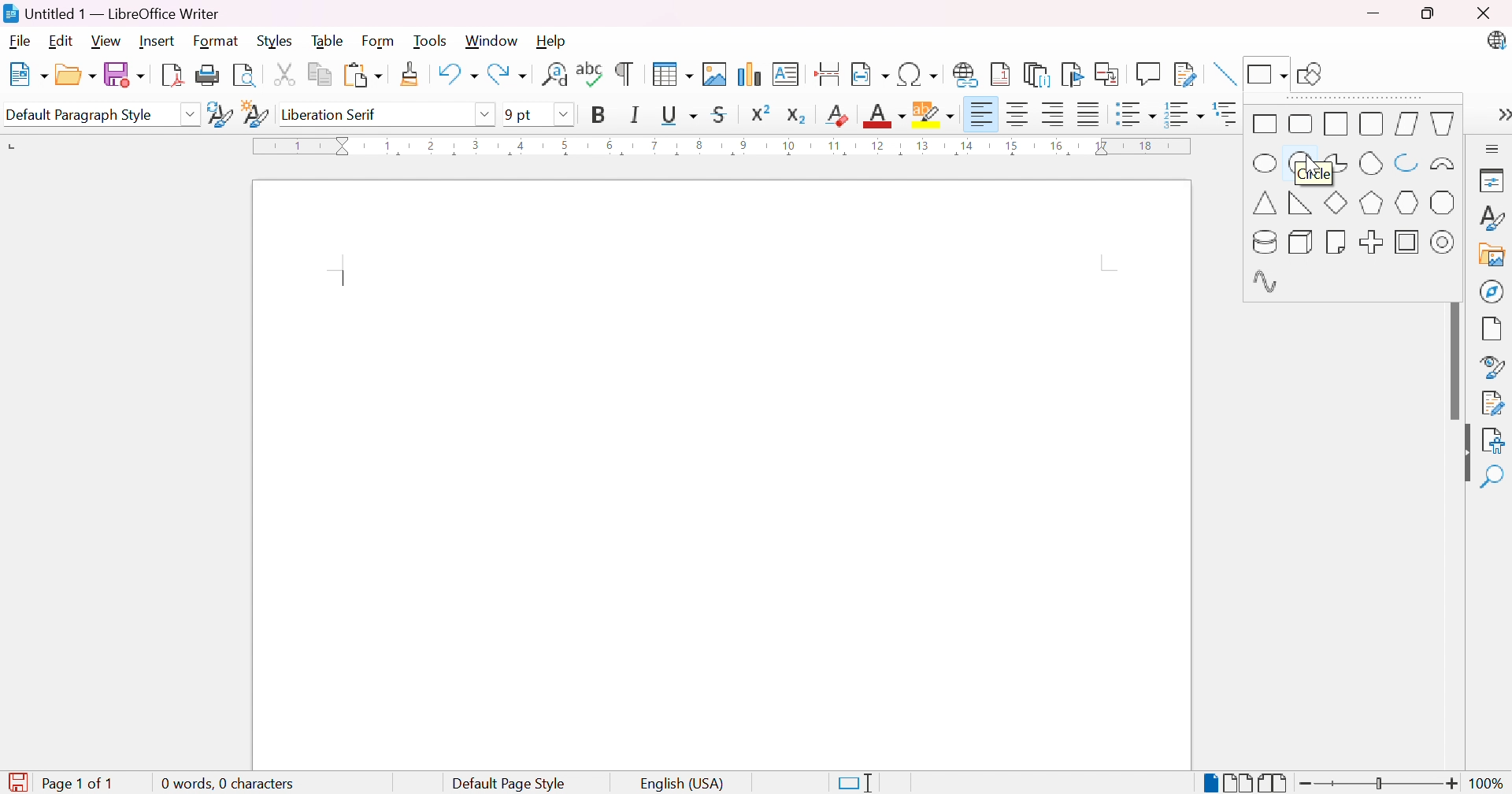 The image size is (1512, 794). I want to click on Circle segment, so click(1371, 162).